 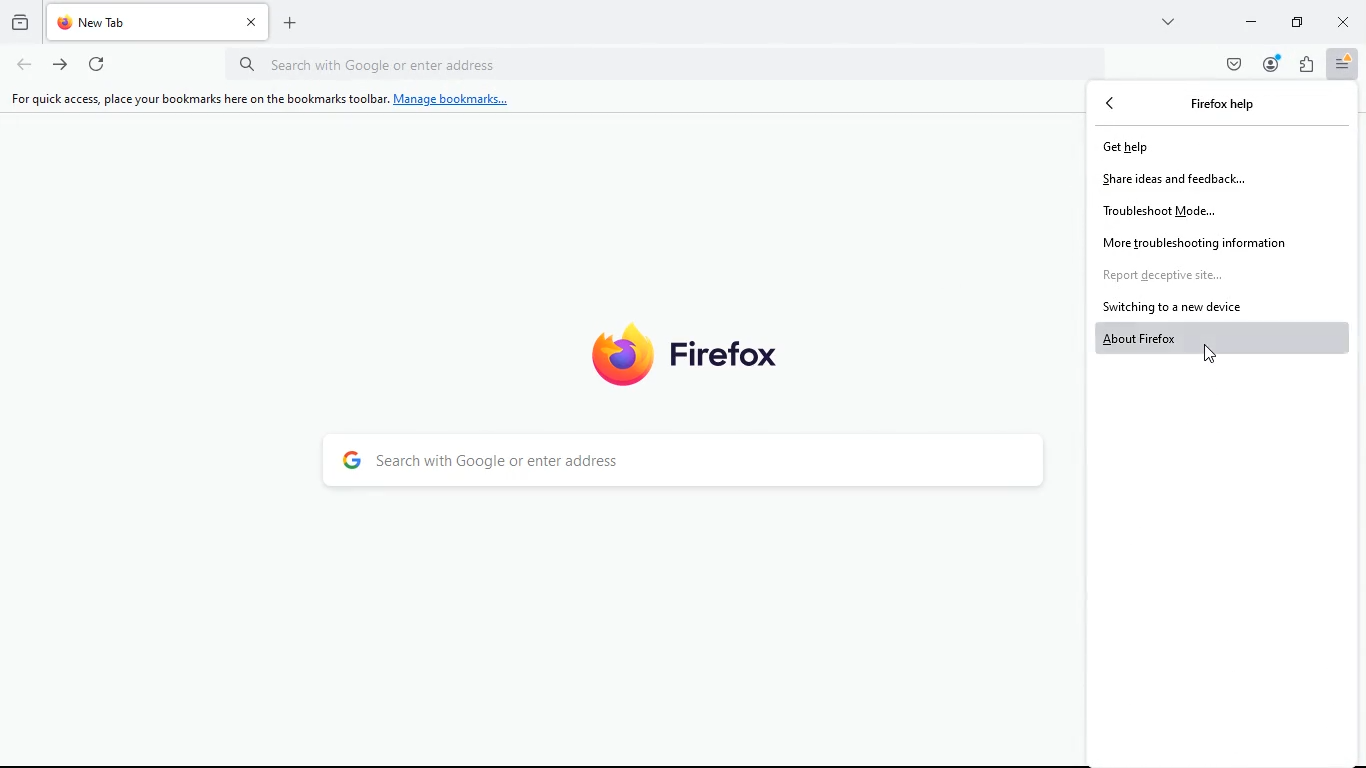 What do you see at coordinates (161, 22) in the screenshot?
I see `tab` at bounding box center [161, 22].